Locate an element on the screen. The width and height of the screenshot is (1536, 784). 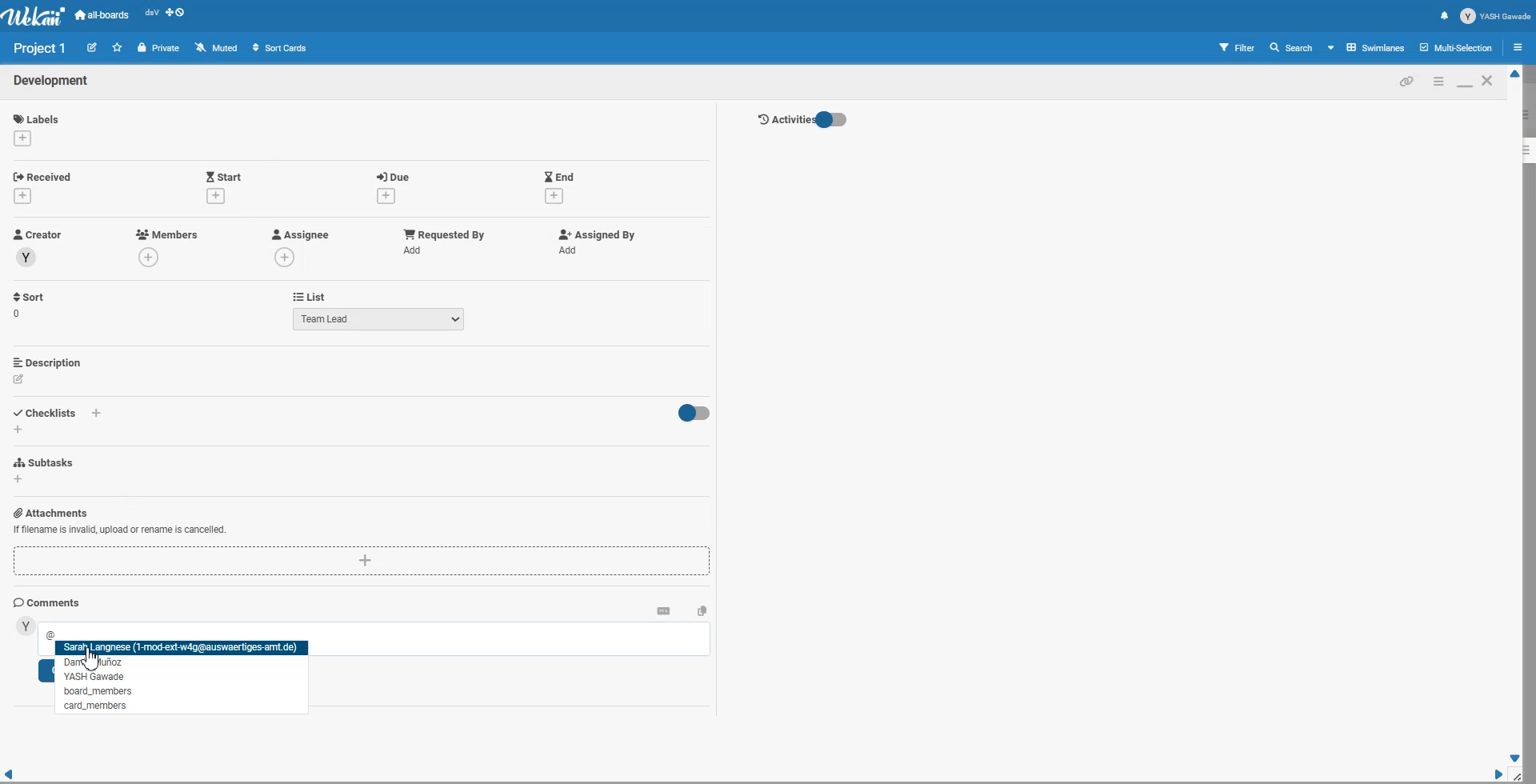
Team Lead is located at coordinates (379, 318).